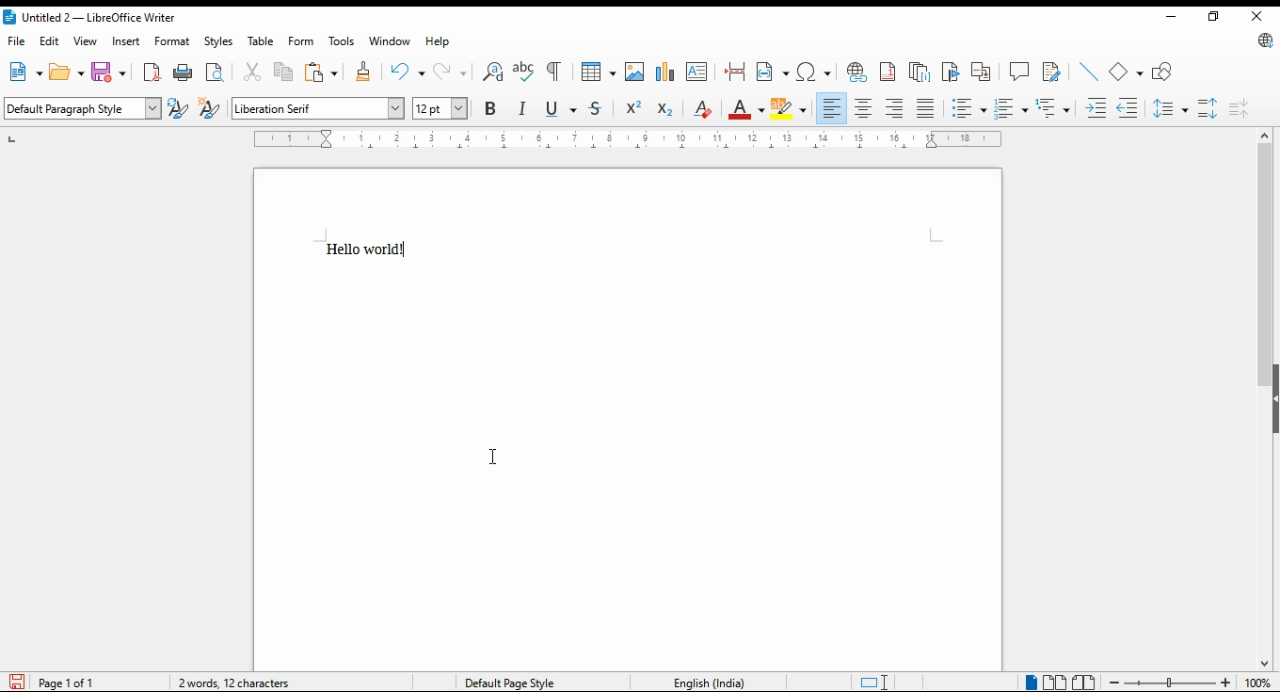  I want to click on font name, so click(318, 108).